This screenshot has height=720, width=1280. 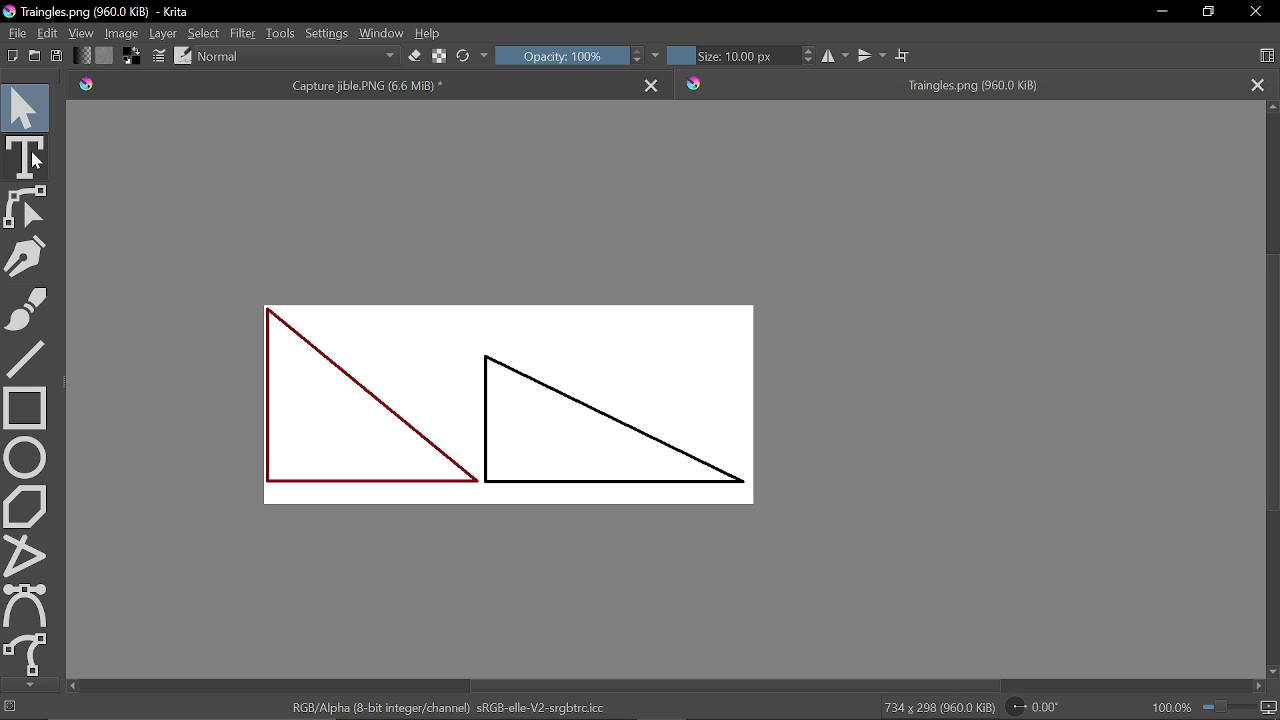 I want to click on Size, so click(x=730, y=55).